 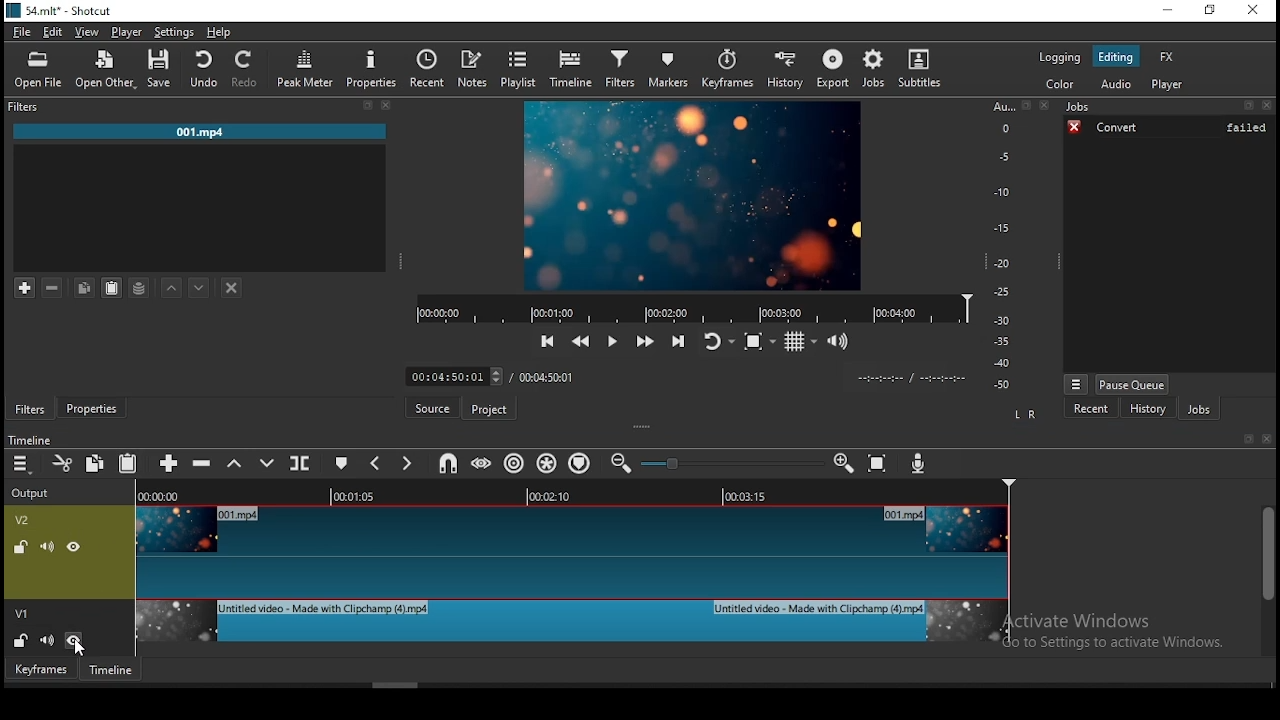 I want to click on v1, so click(x=22, y=612).